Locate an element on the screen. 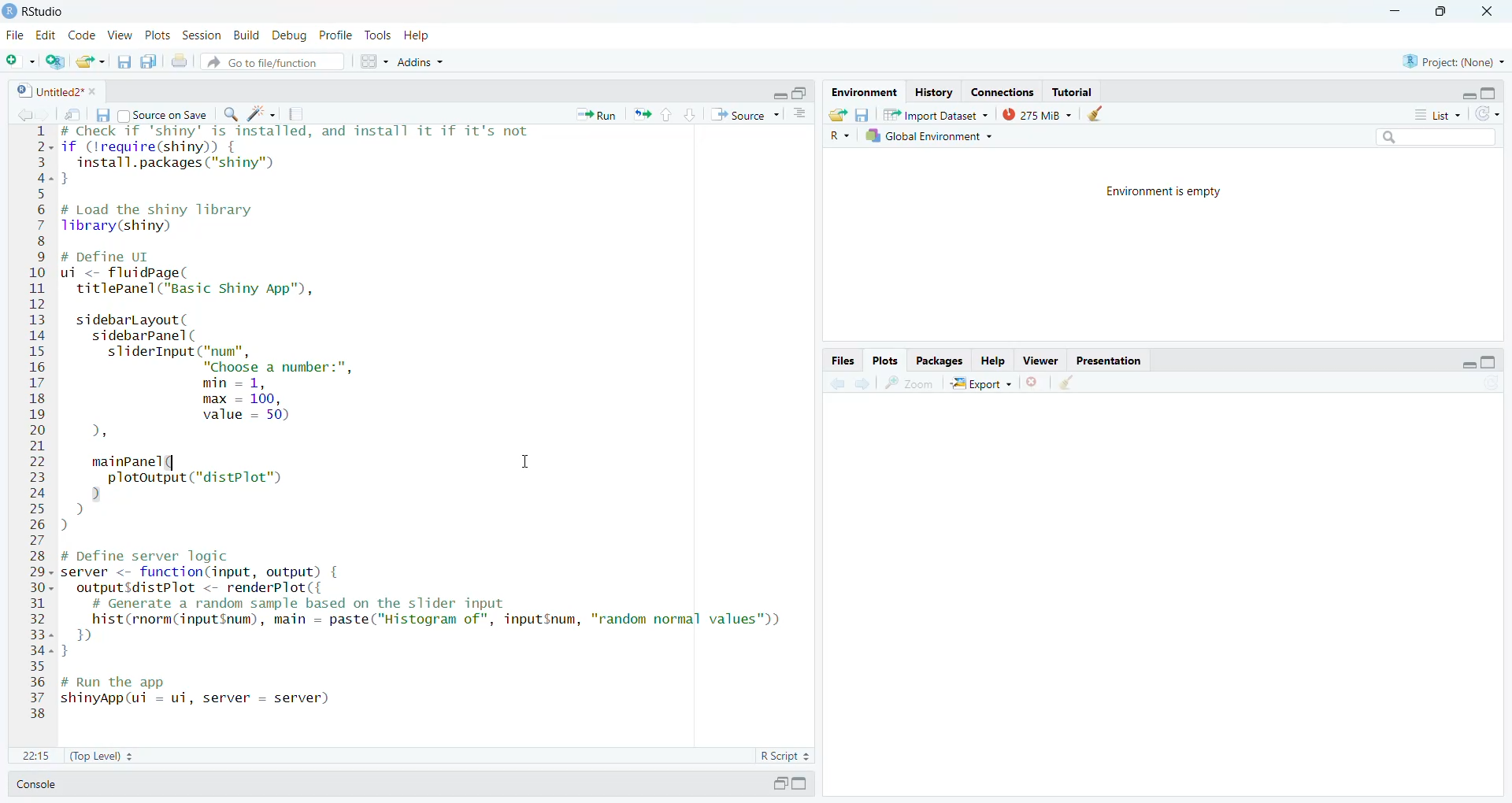 The height and width of the screenshot is (803, 1512). new file is located at coordinates (21, 61).